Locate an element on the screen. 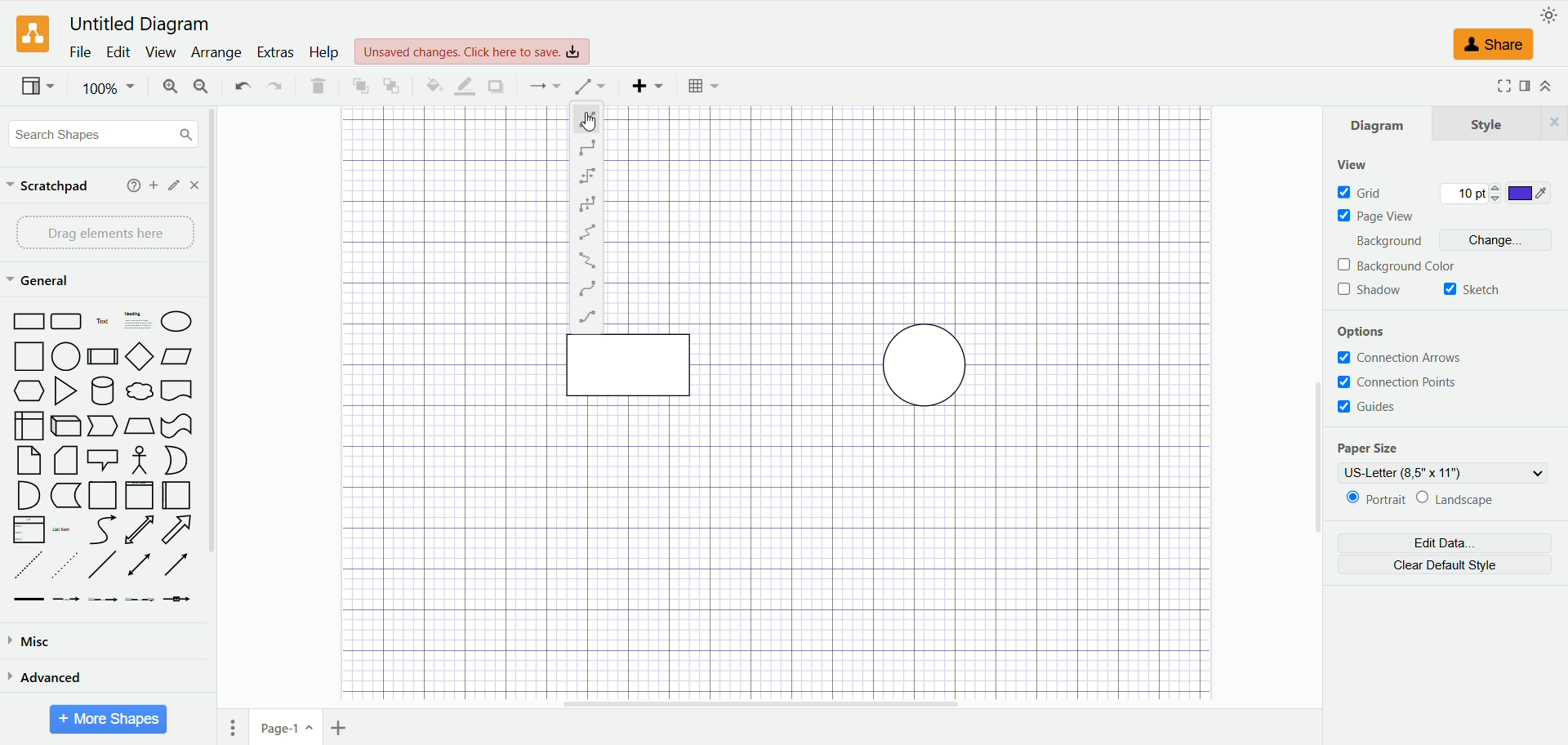 The height and width of the screenshot is (745, 1568). arrange is located at coordinates (216, 53).